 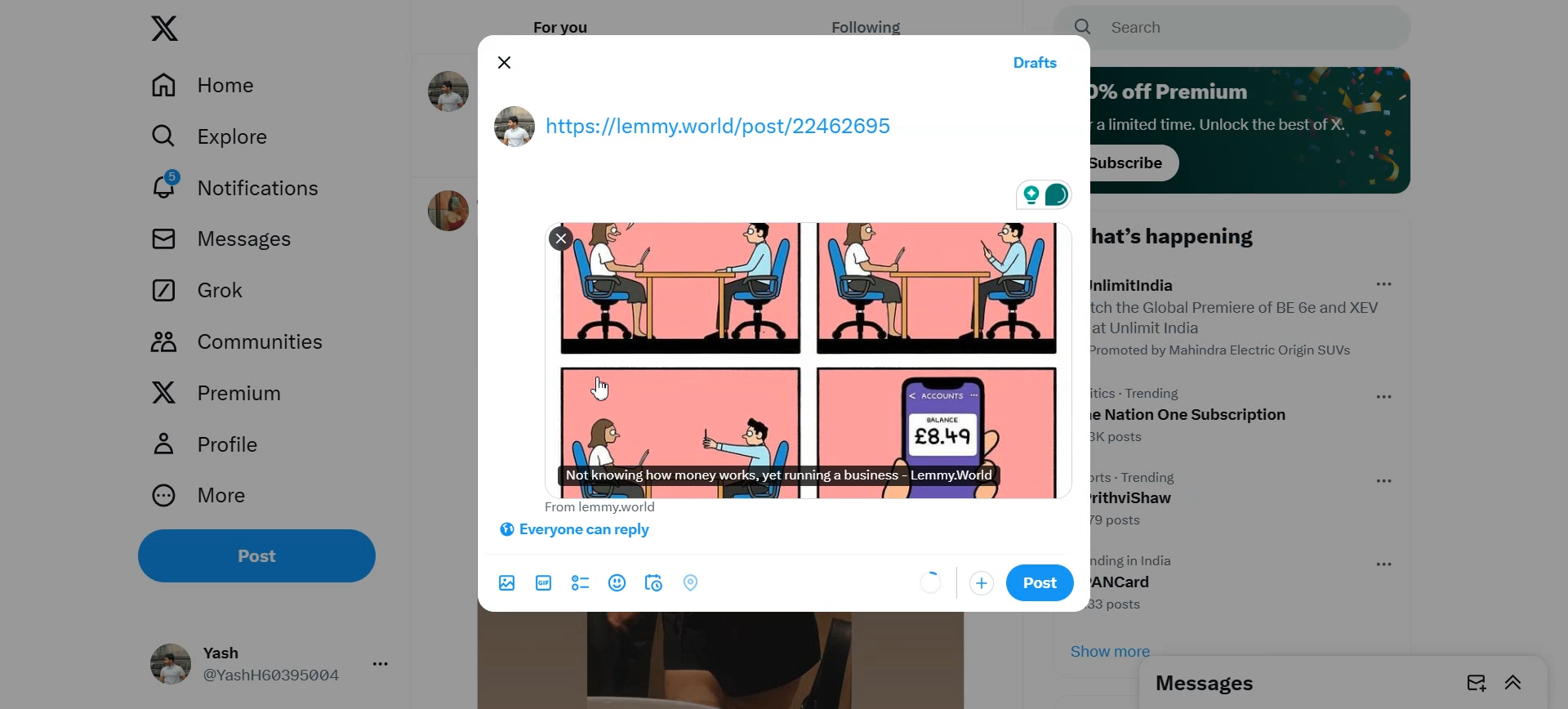 I want to click on Close, so click(x=506, y=65).